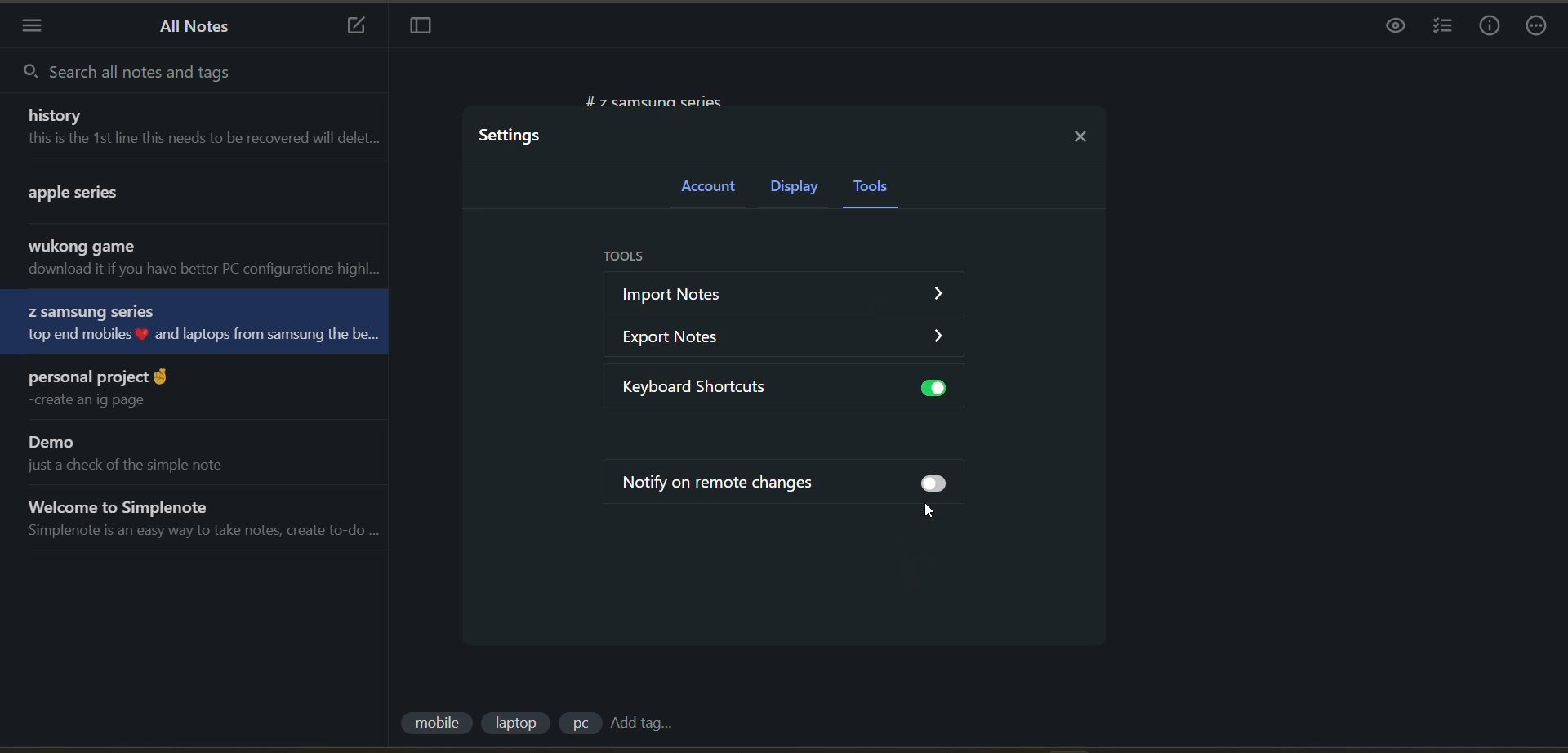 The width and height of the screenshot is (1568, 753). I want to click on note title and preview, so click(155, 453).